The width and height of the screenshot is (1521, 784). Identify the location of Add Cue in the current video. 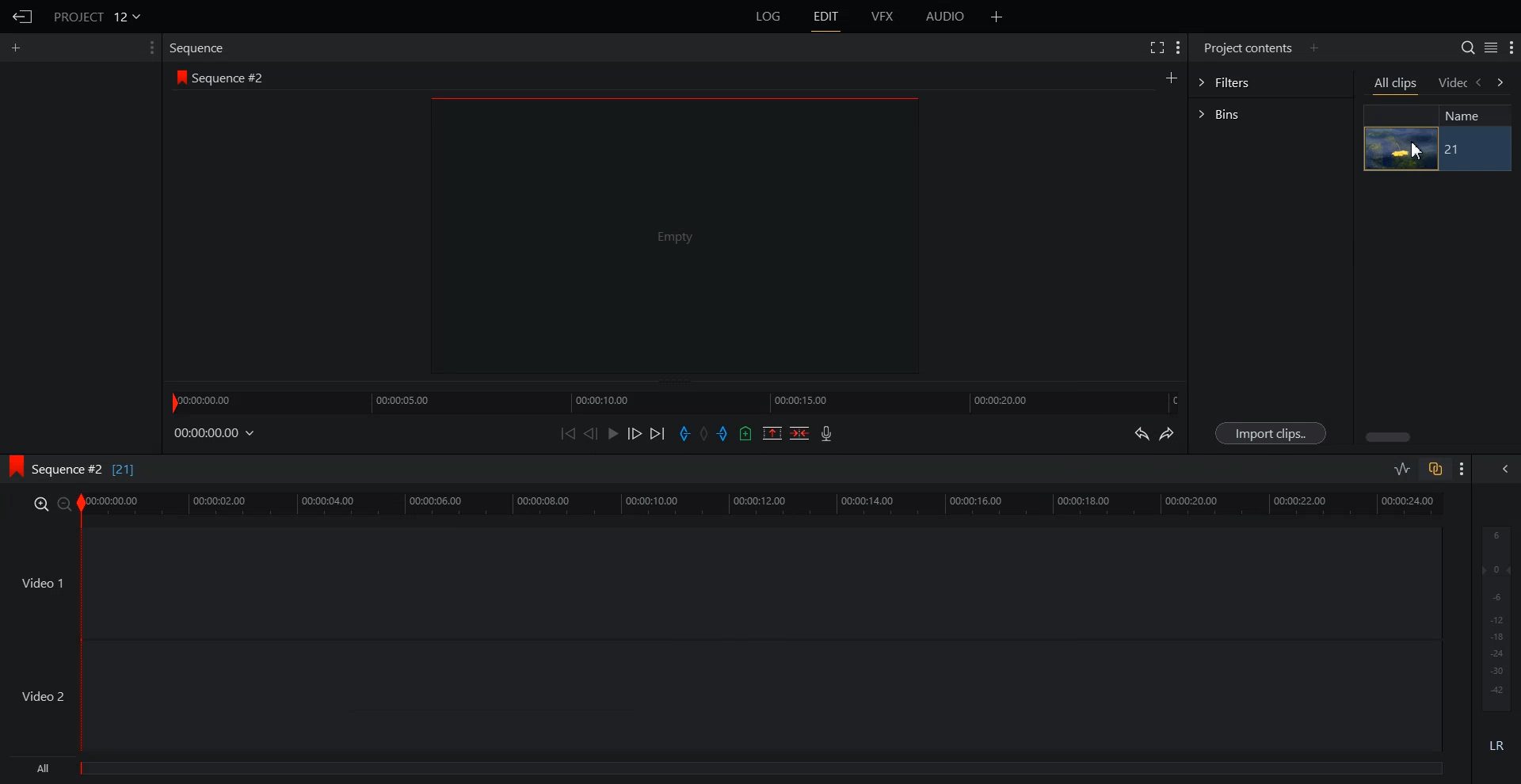
(746, 432).